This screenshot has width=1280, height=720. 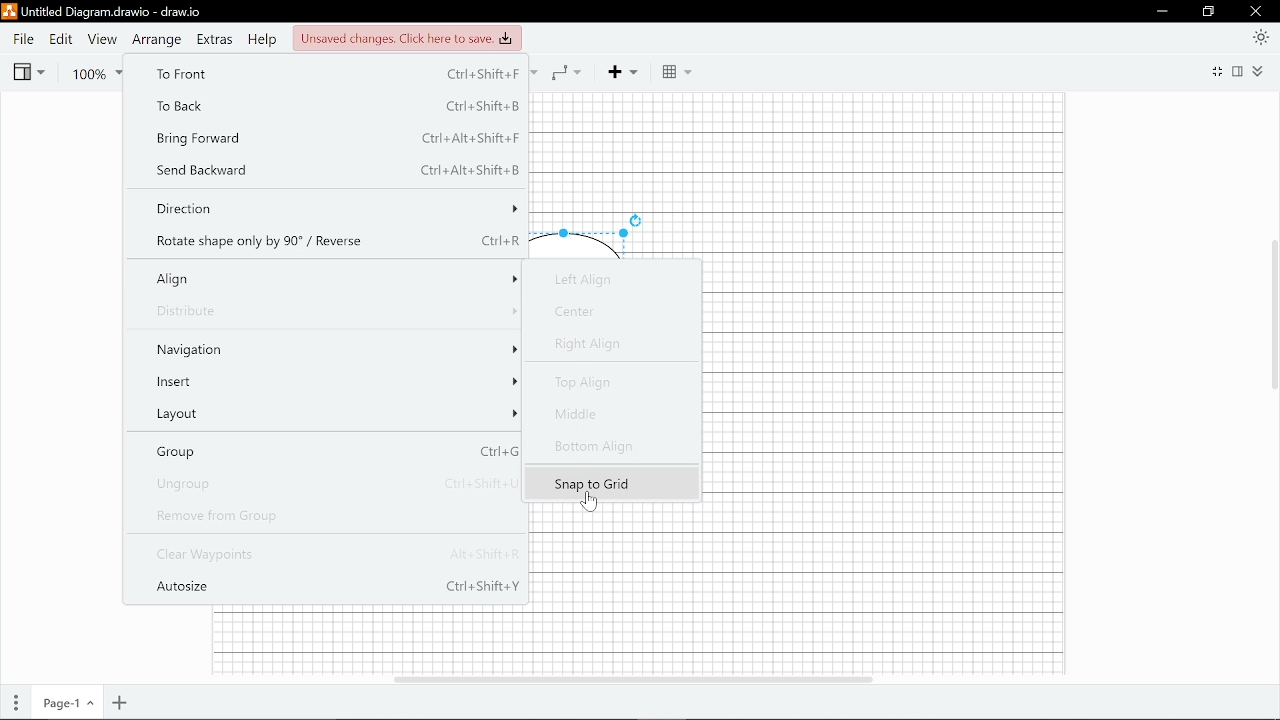 What do you see at coordinates (620, 72) in the screenshot?
I see `Add` at bounding box center [620, 72].